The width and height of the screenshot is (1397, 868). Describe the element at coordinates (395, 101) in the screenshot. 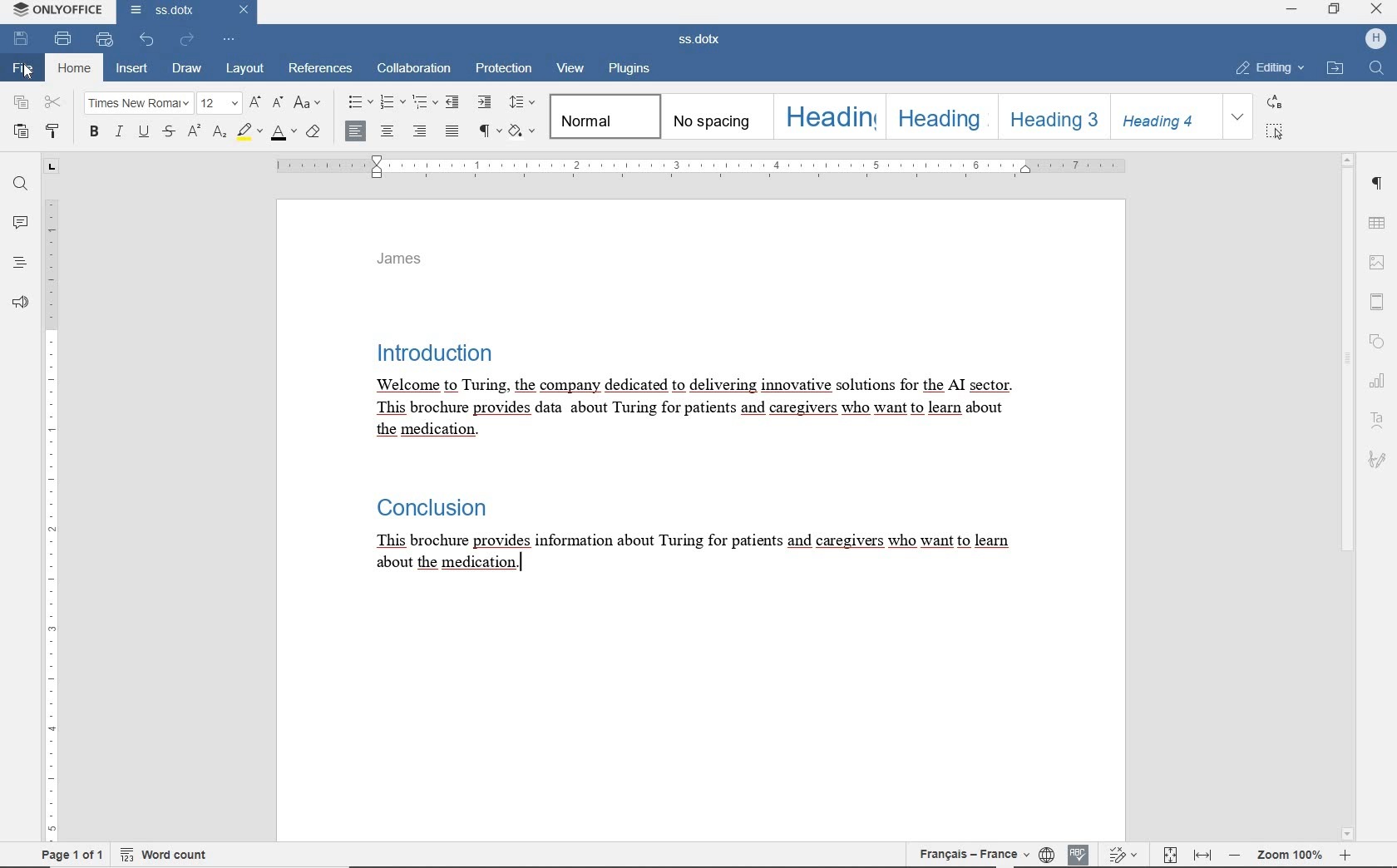

I see `NUMBERING` at that location.